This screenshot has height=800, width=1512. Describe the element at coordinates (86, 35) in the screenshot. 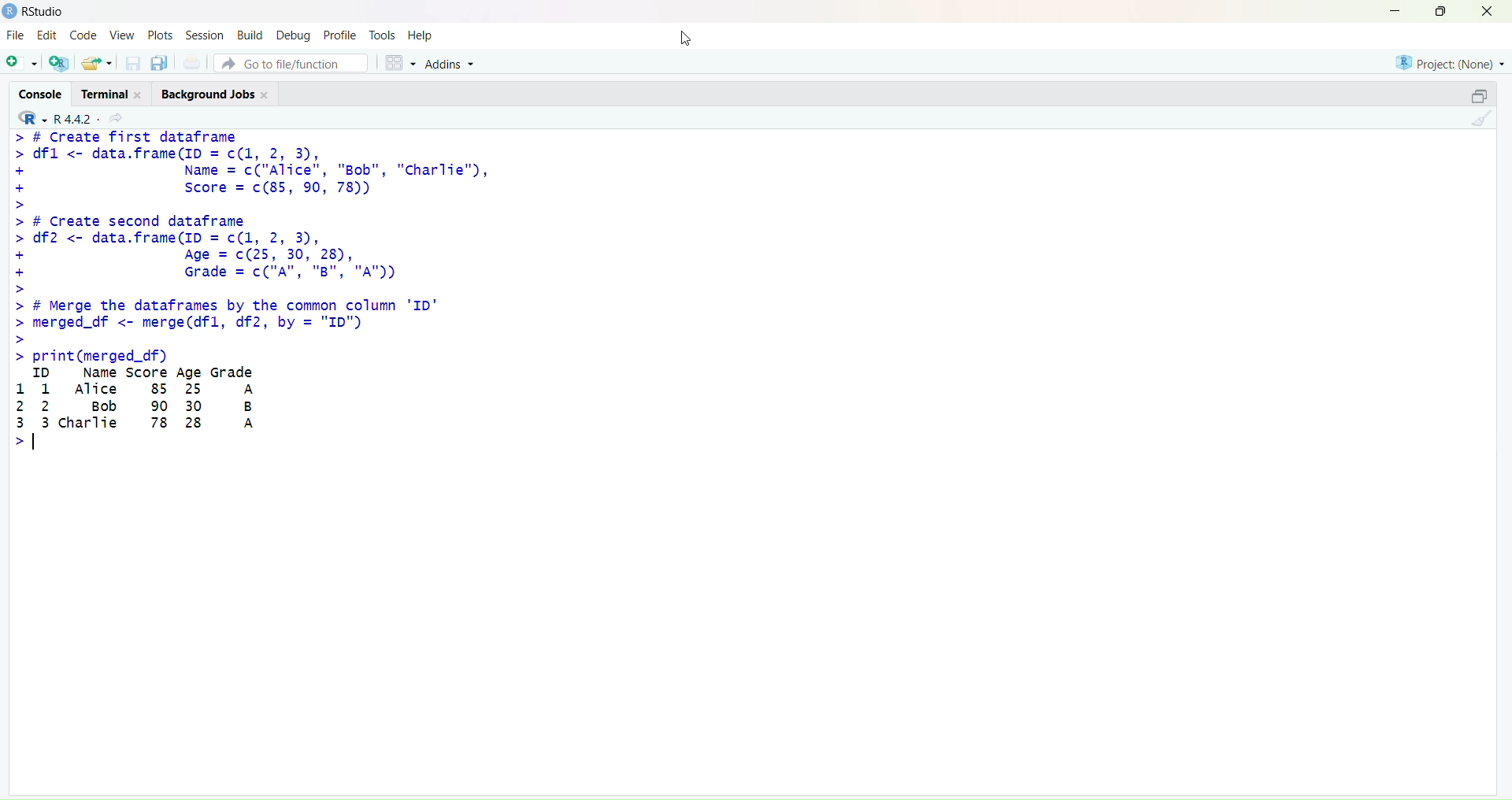

I see `Code` at that location.